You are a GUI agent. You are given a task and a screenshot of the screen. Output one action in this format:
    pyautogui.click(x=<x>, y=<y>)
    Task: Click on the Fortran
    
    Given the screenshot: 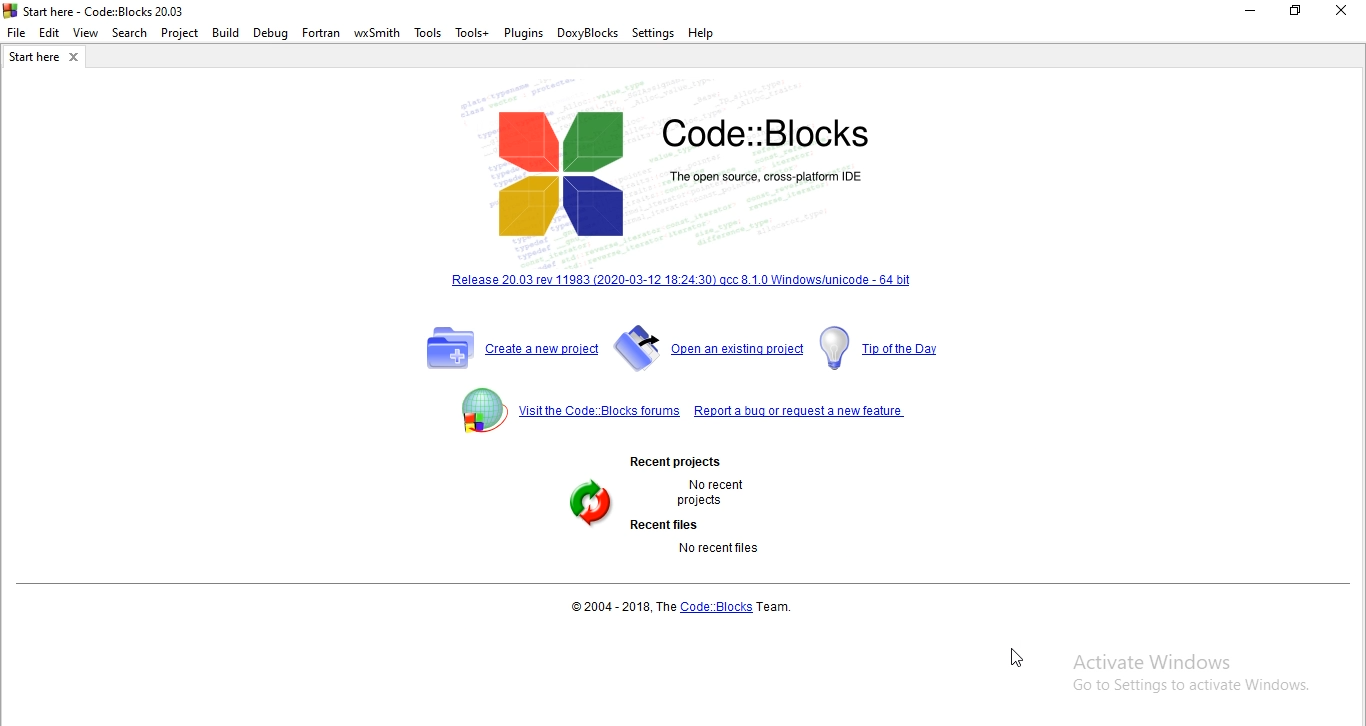 What is the action you would take?
    pyautogui.click(x=319, y=33)
    